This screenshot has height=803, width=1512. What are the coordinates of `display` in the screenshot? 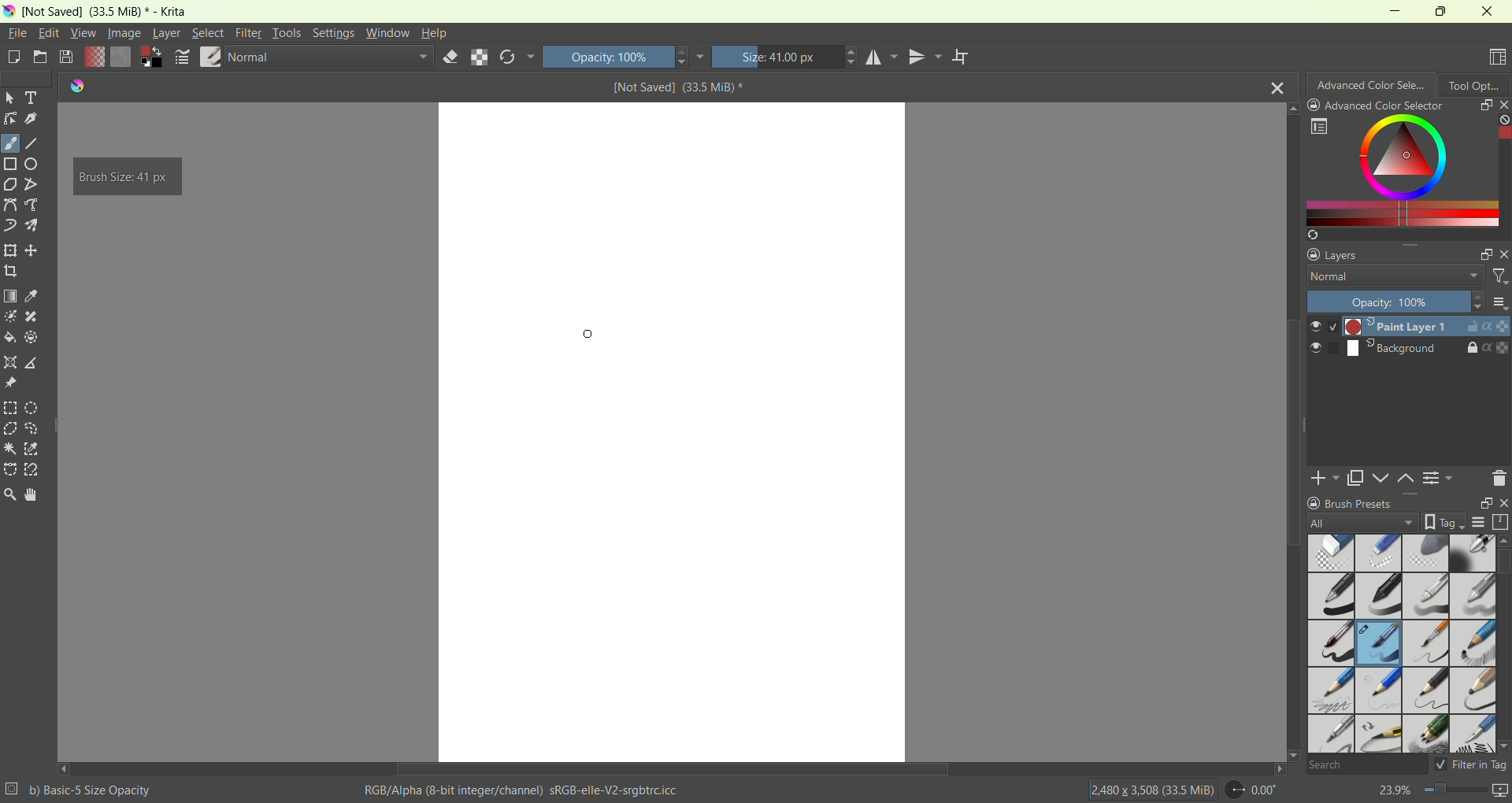 It's located at (1478, 523).